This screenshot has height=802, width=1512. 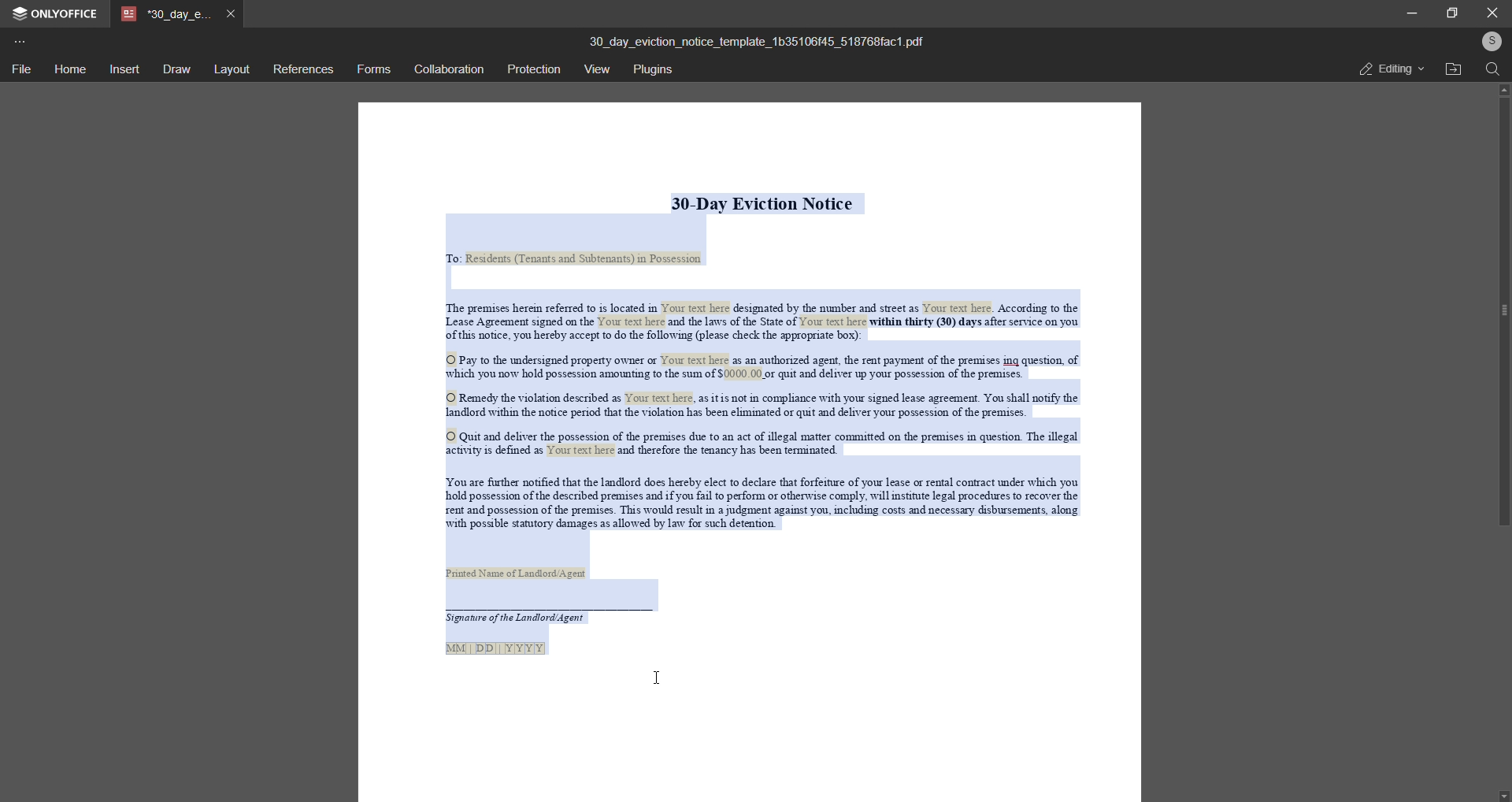 What do you see at coordinates (1490, 70) in the screenshot?
I see `search` at bounding box center [1490, 70].